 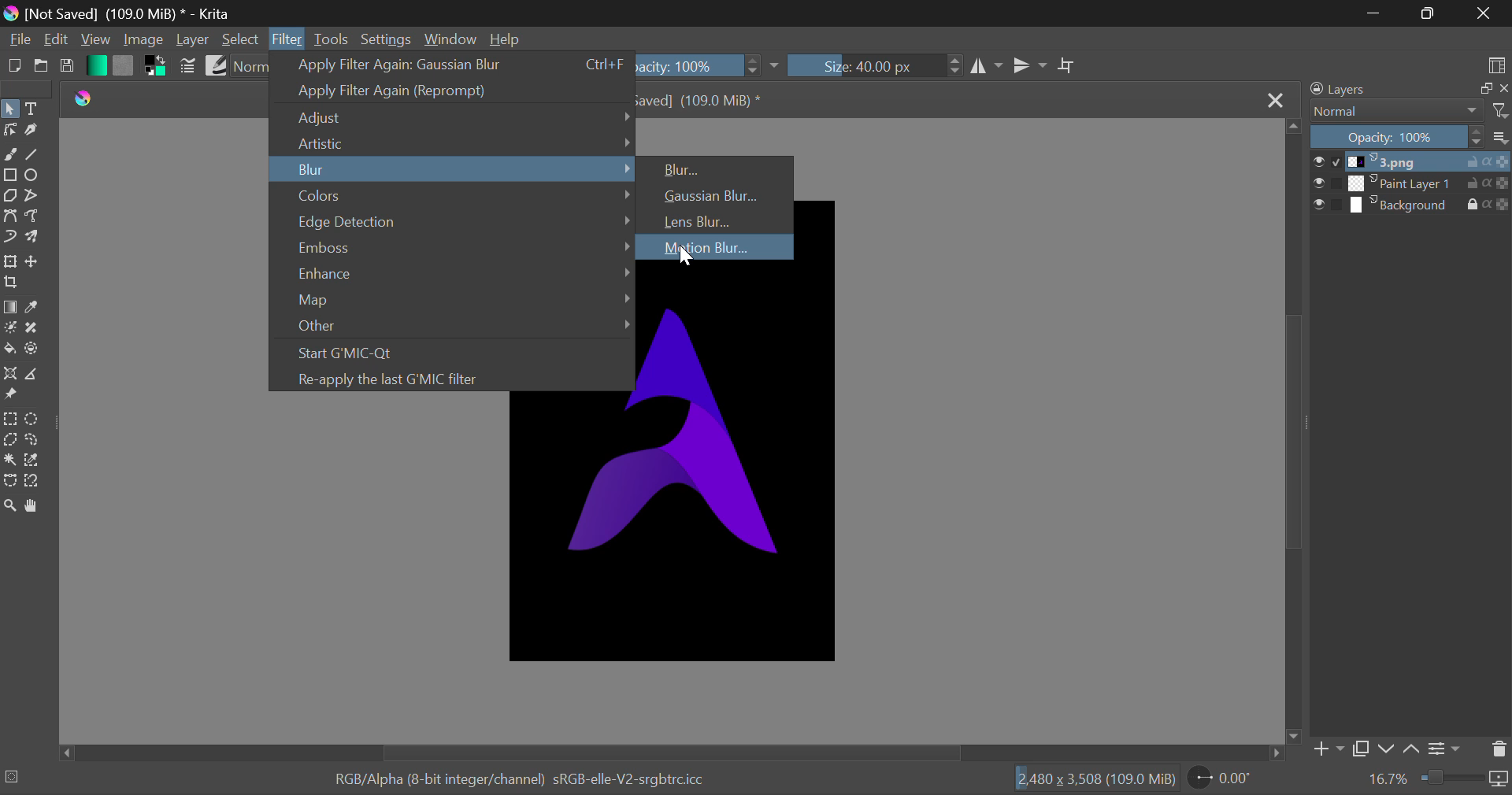 I want to click on 3.png, so click(x=1412, y=162).